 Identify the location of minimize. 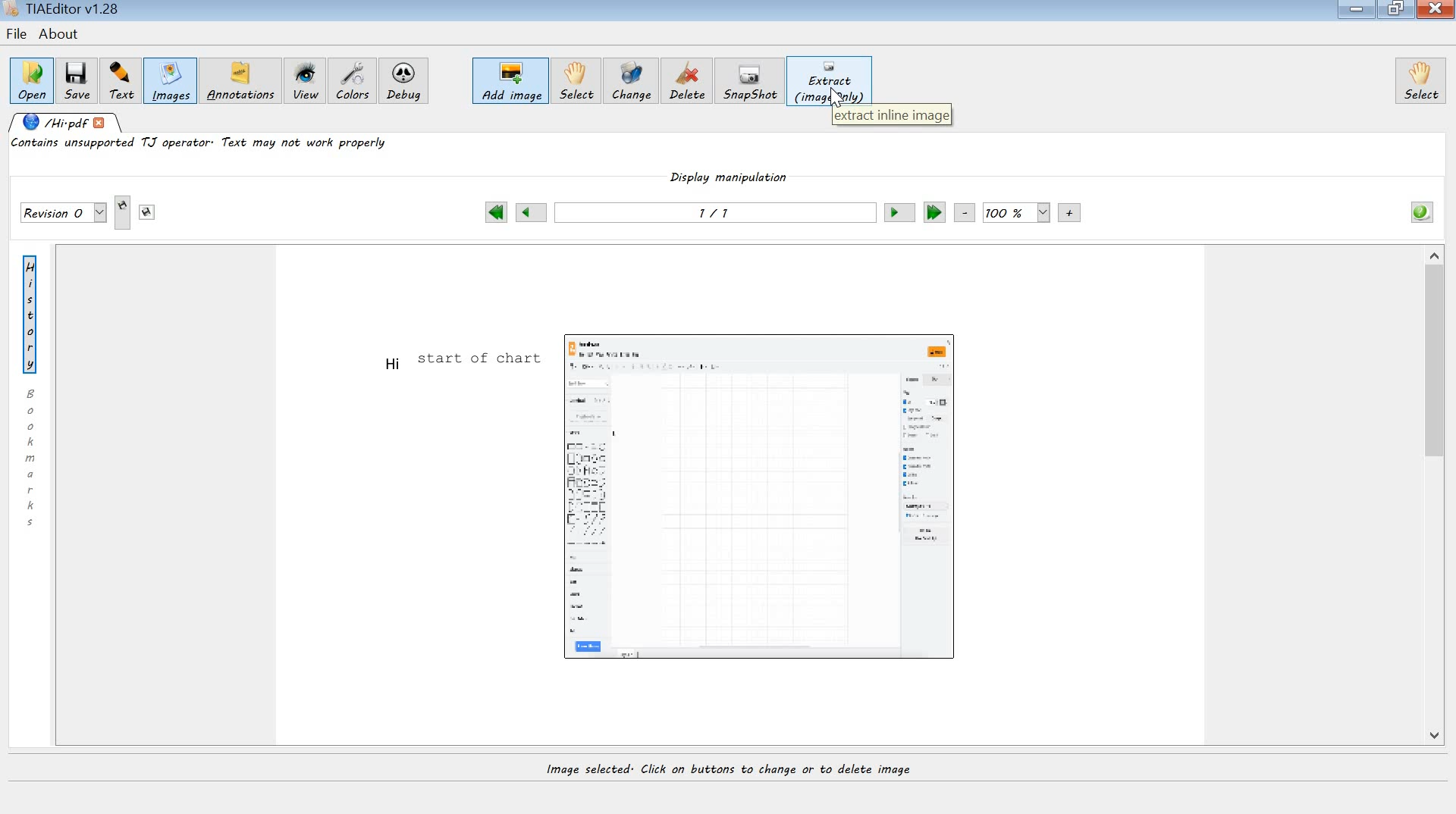
(1358, 11).